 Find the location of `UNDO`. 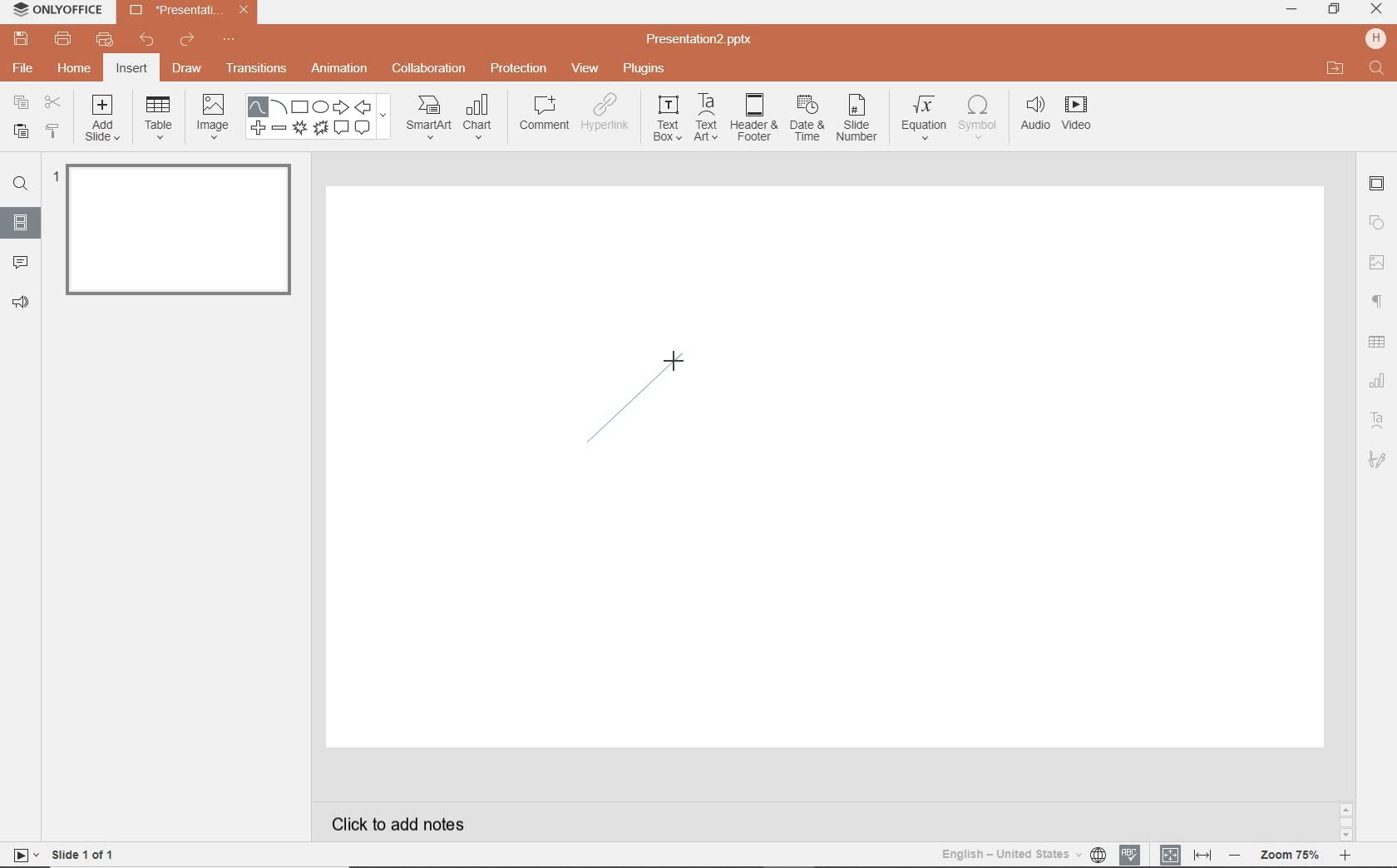

UNDO is located at coordinates (146, 42).